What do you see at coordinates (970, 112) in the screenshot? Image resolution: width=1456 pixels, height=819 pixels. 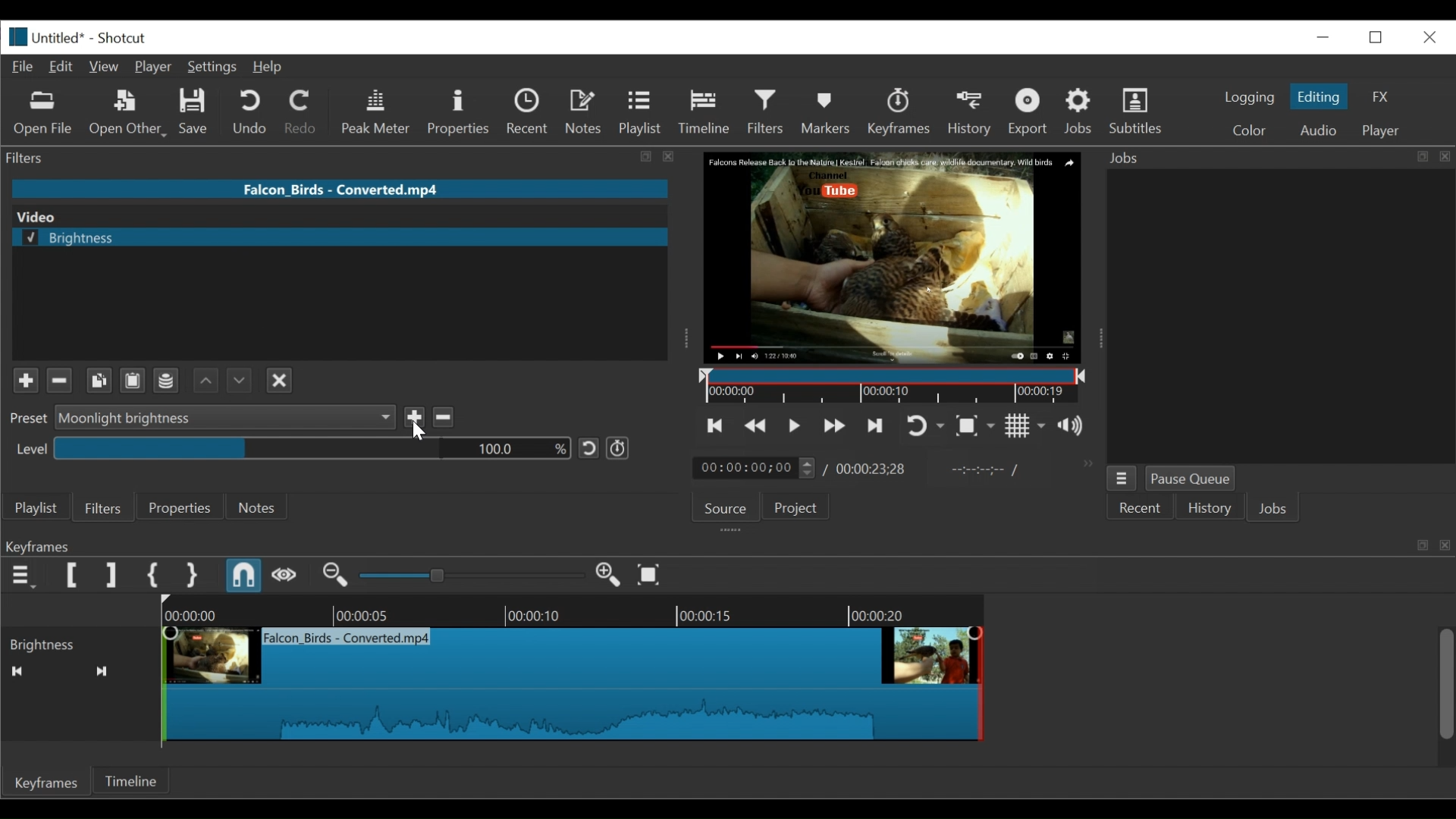 I see `History` at bounding box center [970, 112].